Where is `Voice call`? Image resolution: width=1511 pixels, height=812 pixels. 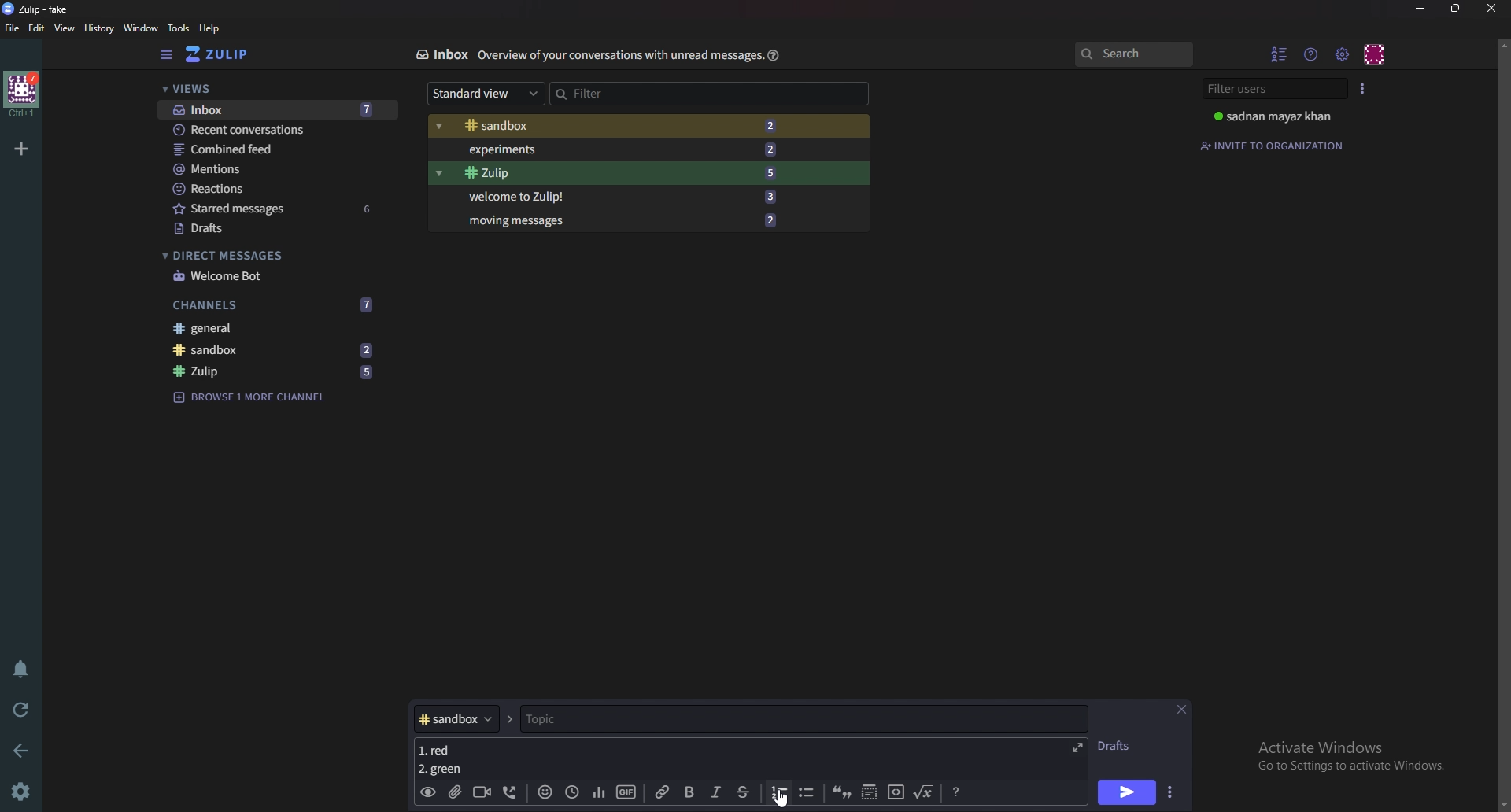
Voice call is located at coordinates (508, 794).